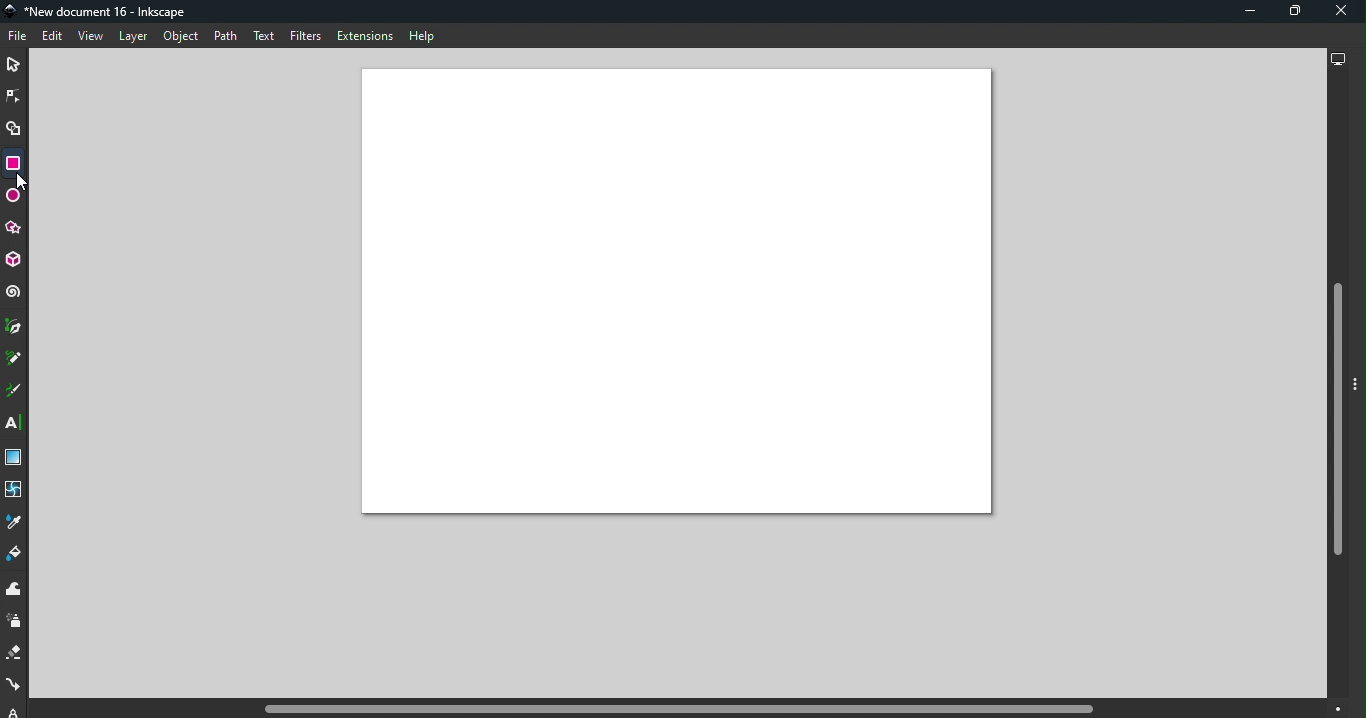 The image size is (1366, 718). What do you see at coordinates (15, 391) in the screenshot?
I see `Calligraphy tool` at bounding box center [15, 391].